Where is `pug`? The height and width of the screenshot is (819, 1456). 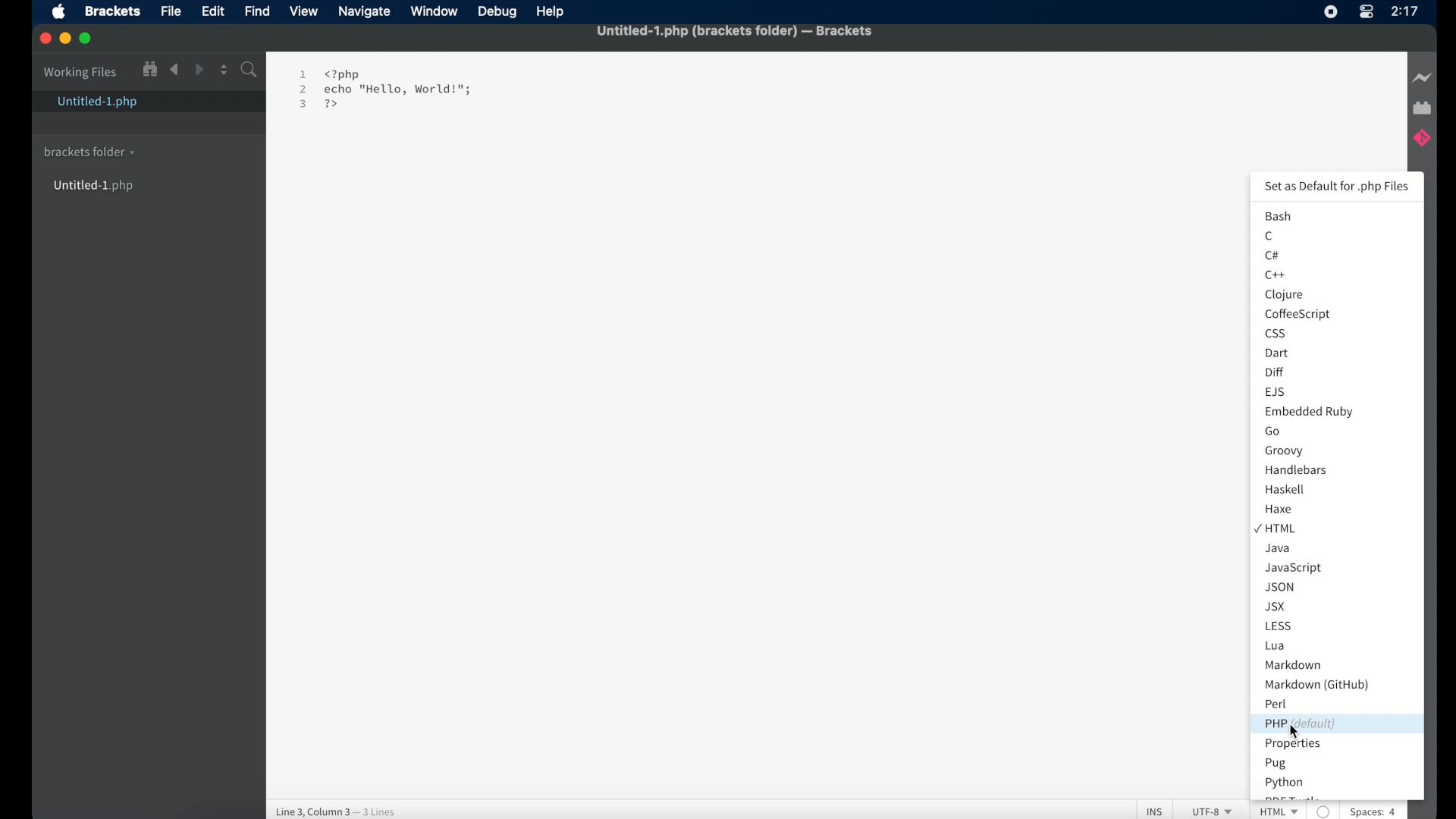
pug is located at coordinates (1278, 764).